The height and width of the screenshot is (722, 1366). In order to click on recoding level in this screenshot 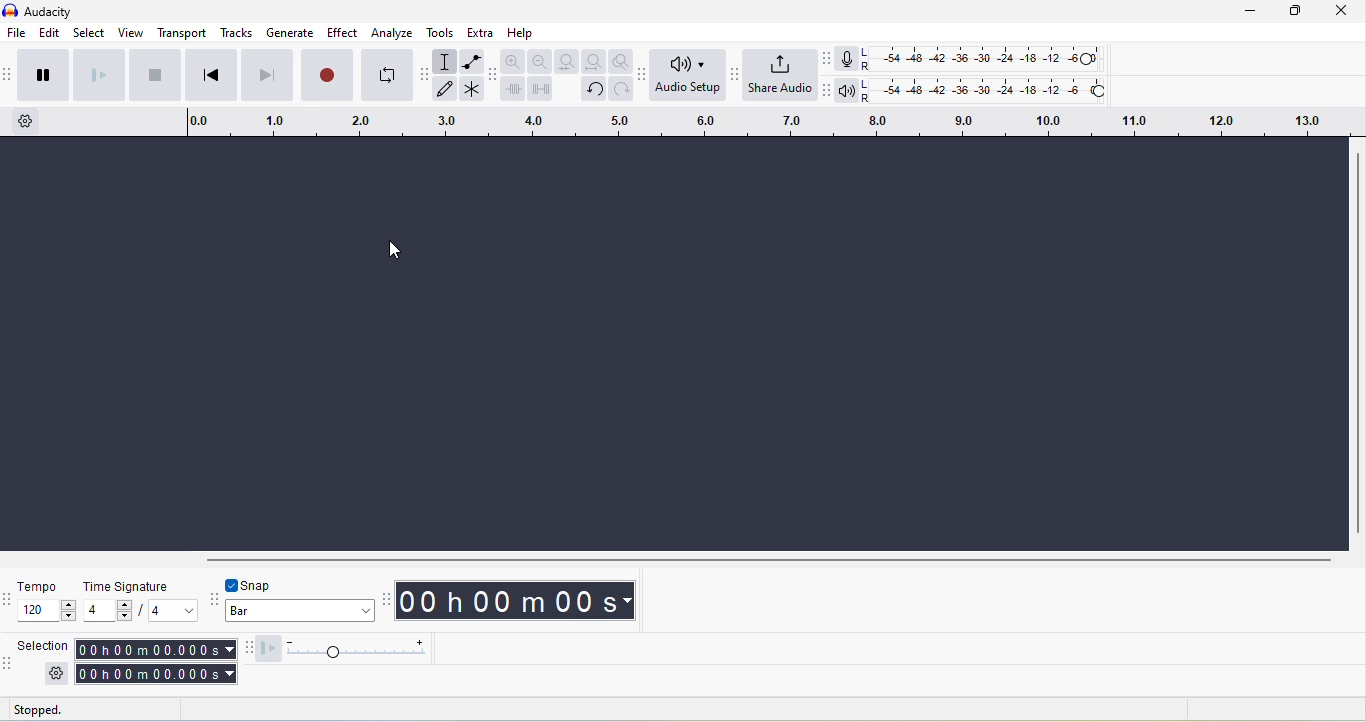, I will do `click(983, 58)`.